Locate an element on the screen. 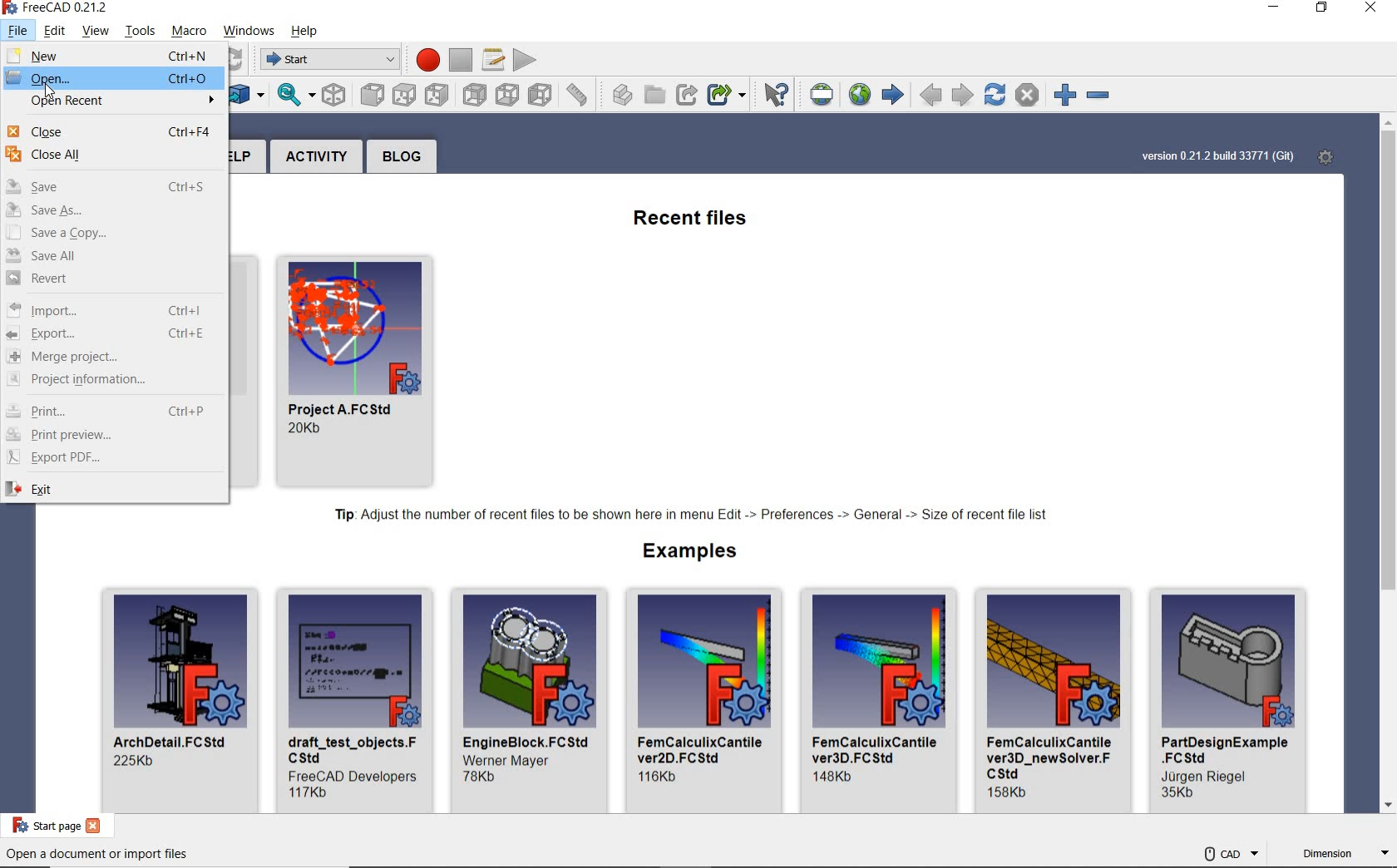  name is located at coordinates (1227, 750).